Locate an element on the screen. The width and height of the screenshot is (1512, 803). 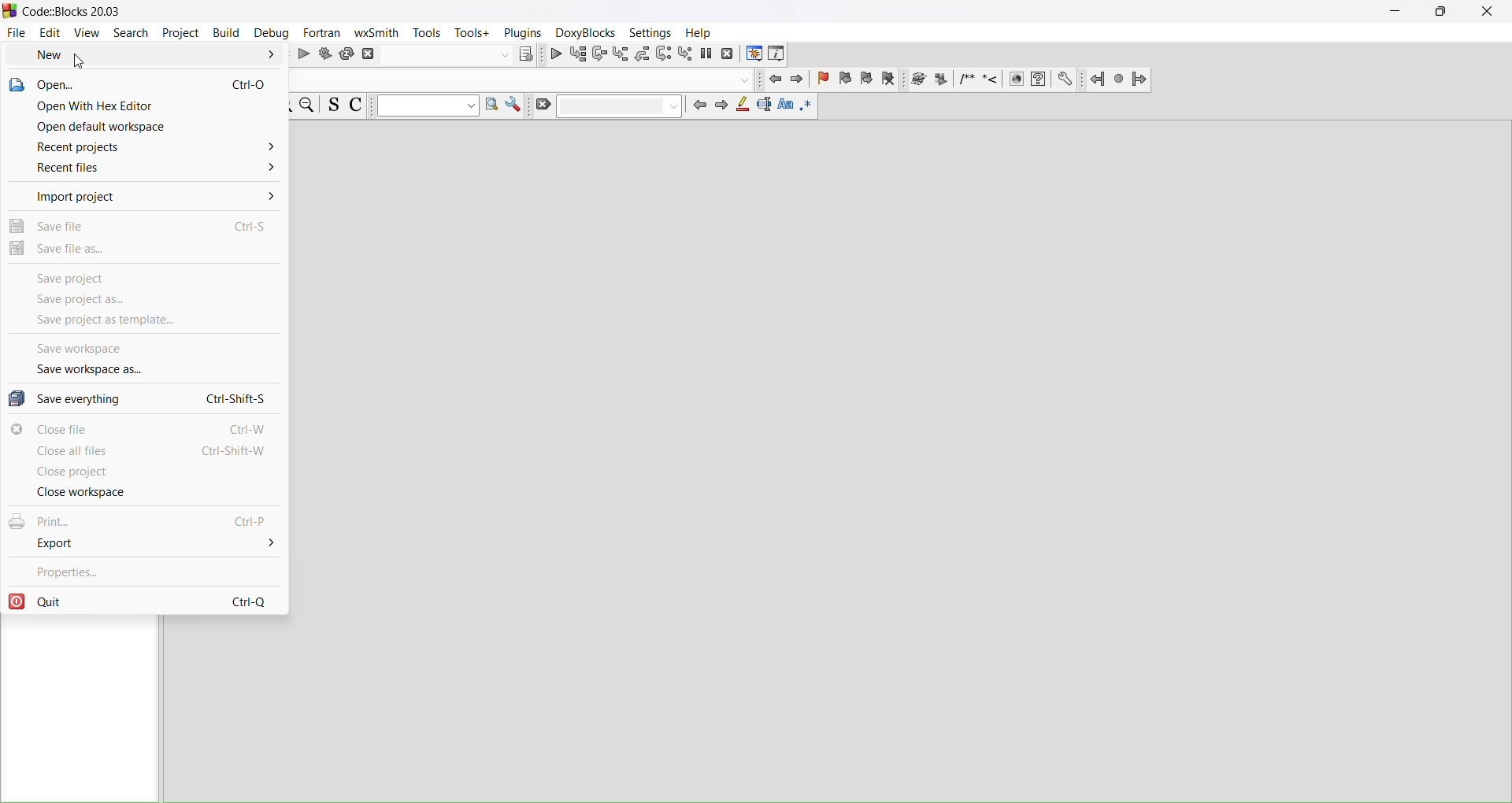
Extract is located at coordinates (939, 79).